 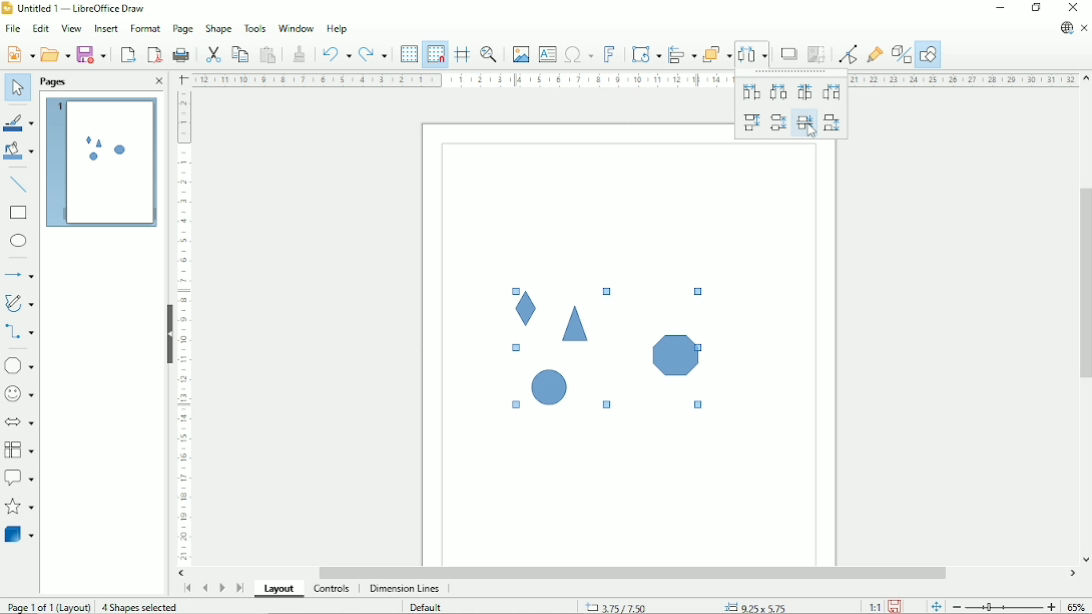 I want to click on Clone formatting, so click(x=300, y=53).